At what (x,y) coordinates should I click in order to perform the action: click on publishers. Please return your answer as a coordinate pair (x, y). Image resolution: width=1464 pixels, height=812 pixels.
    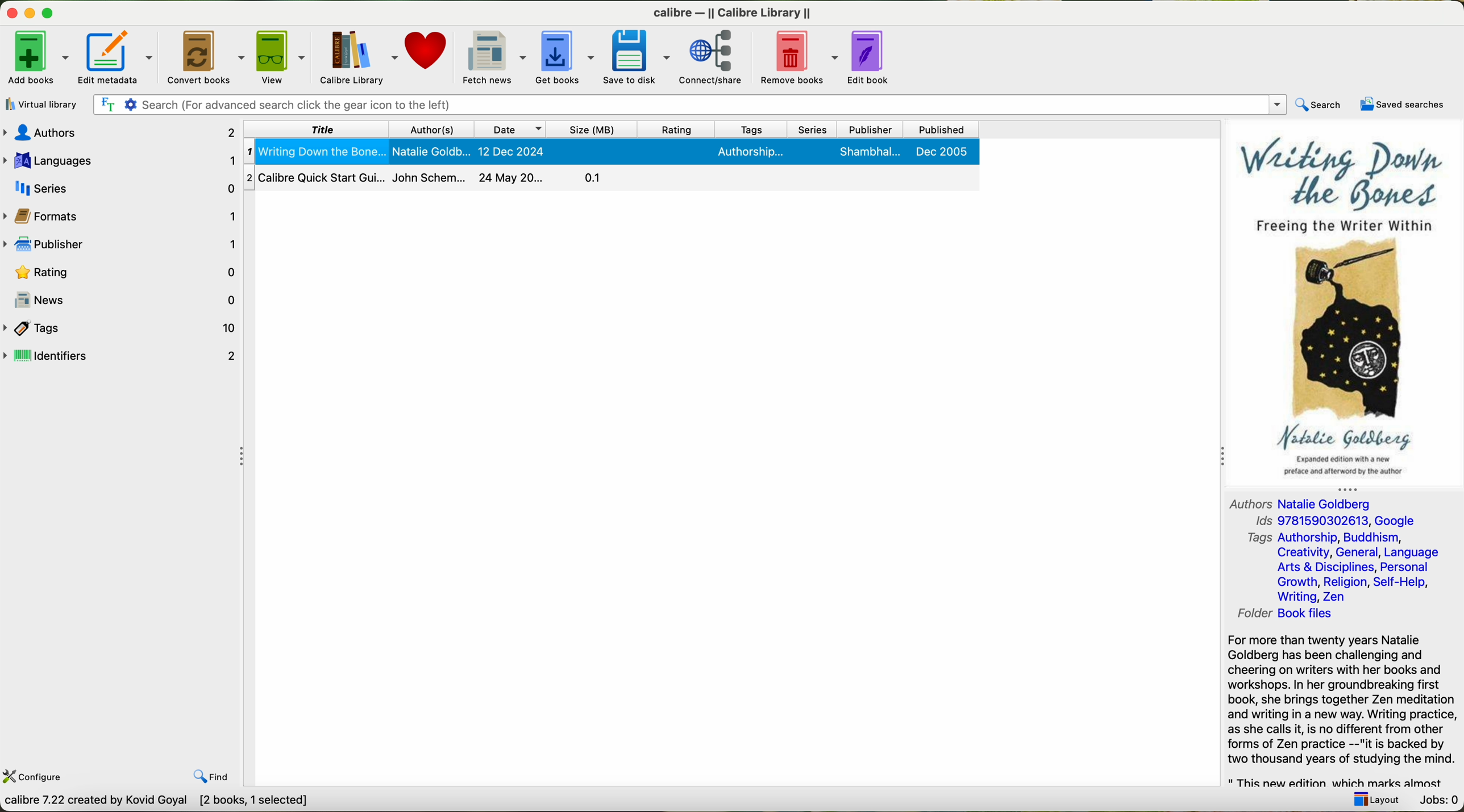
    Looking at the image, I should click on (128, 247).